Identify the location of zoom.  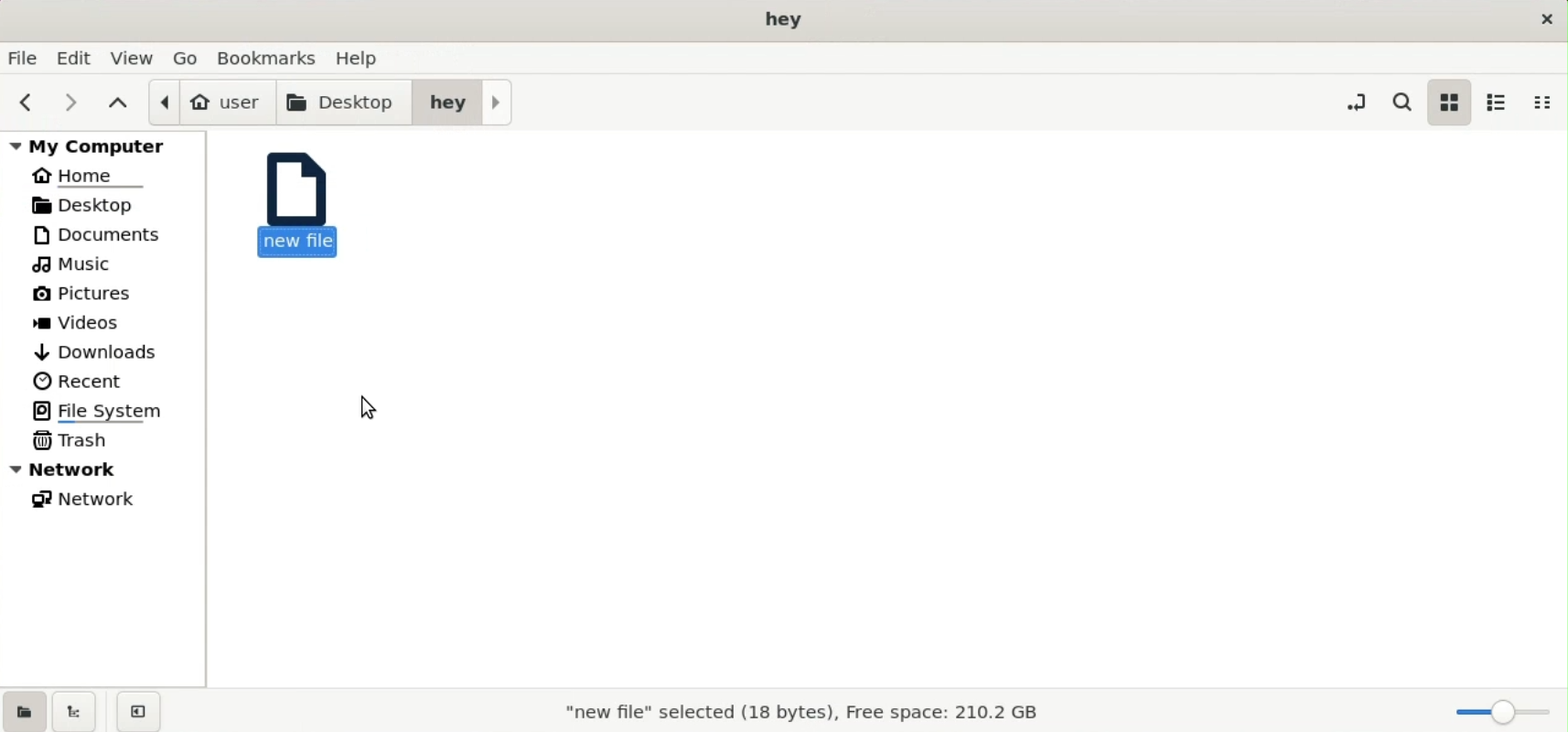
(1498, 712).